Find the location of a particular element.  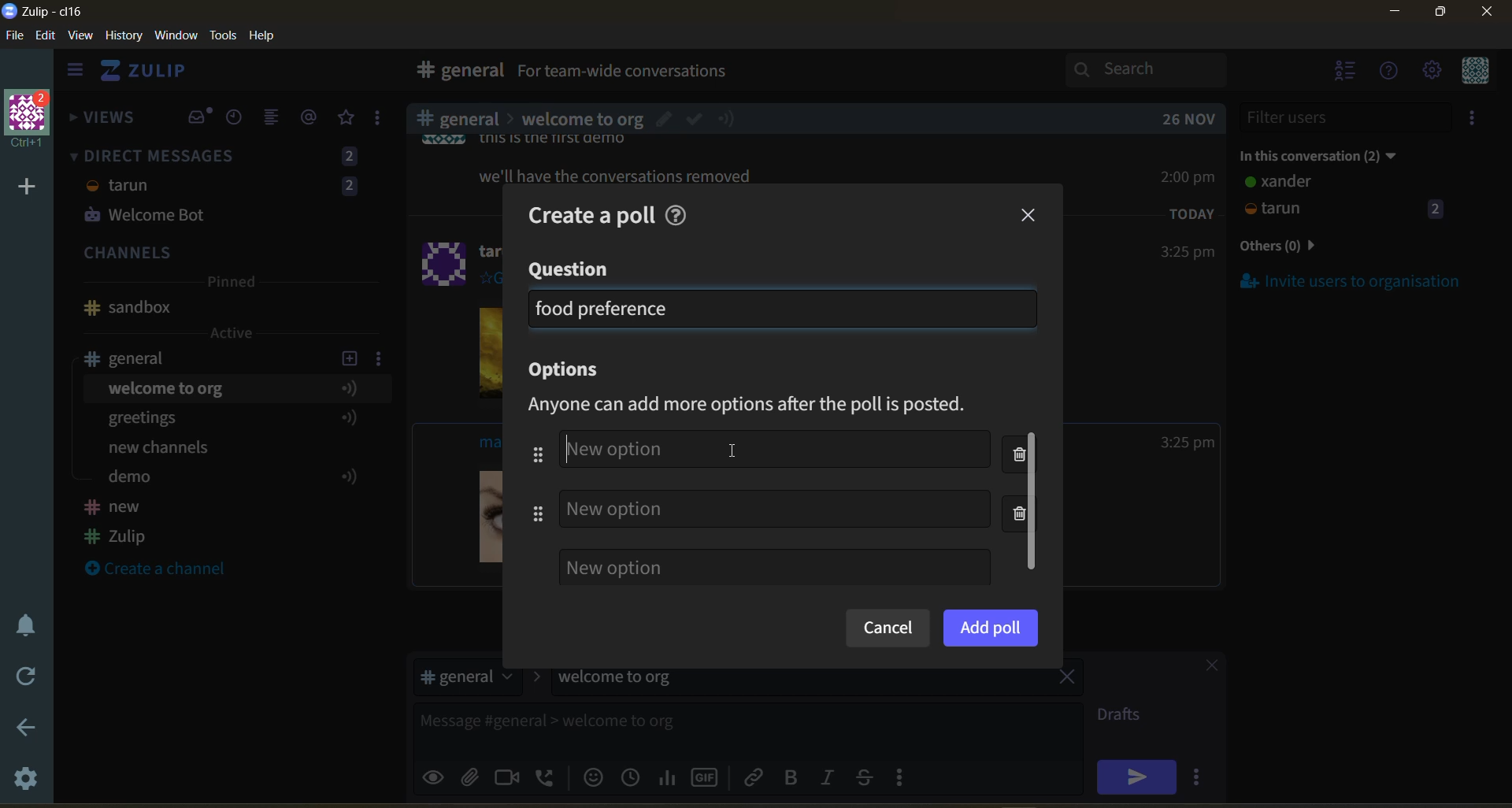

recent conversations is located at coordinates (239, 119).